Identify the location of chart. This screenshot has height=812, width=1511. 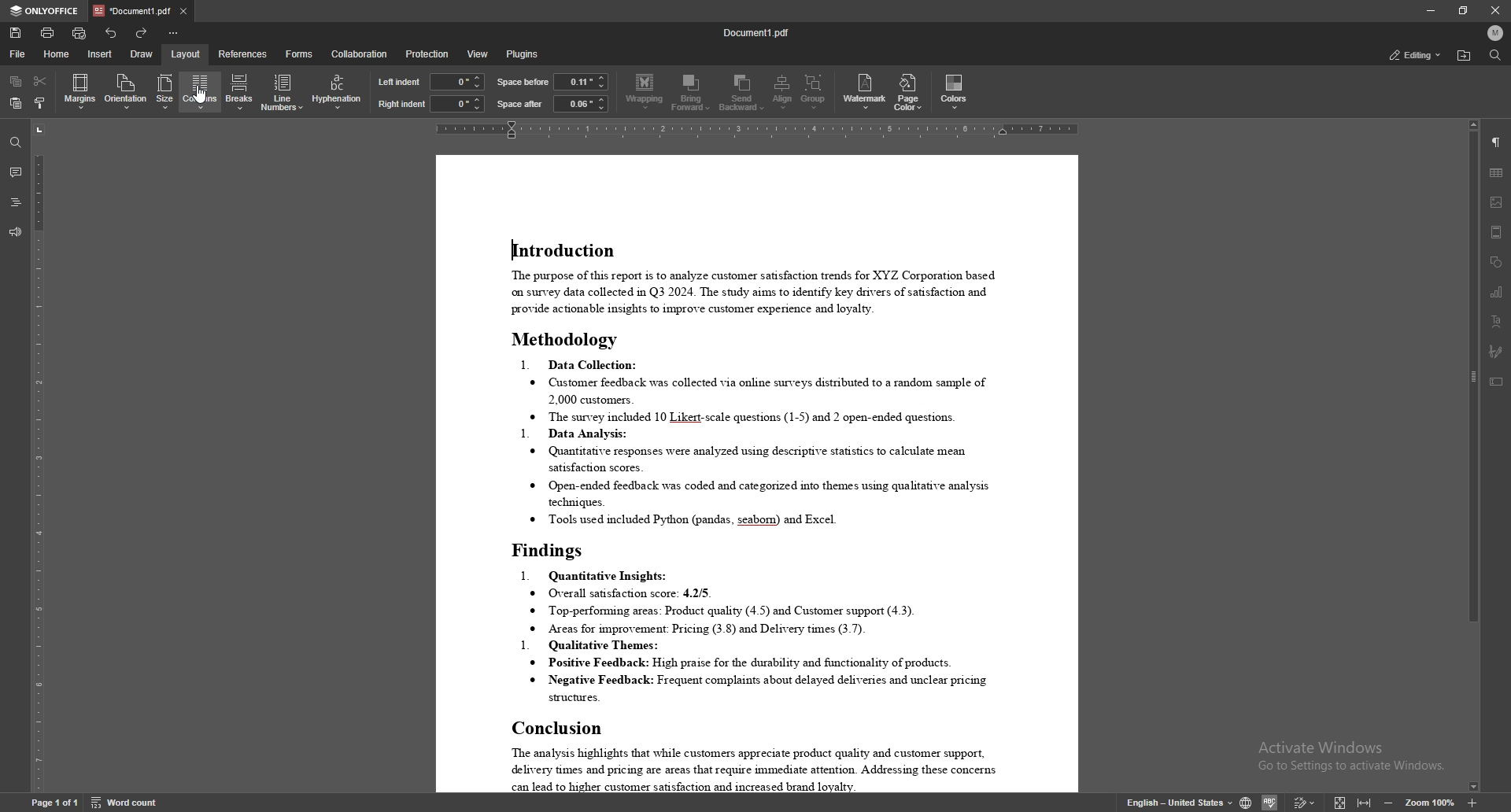
(1497, 291).